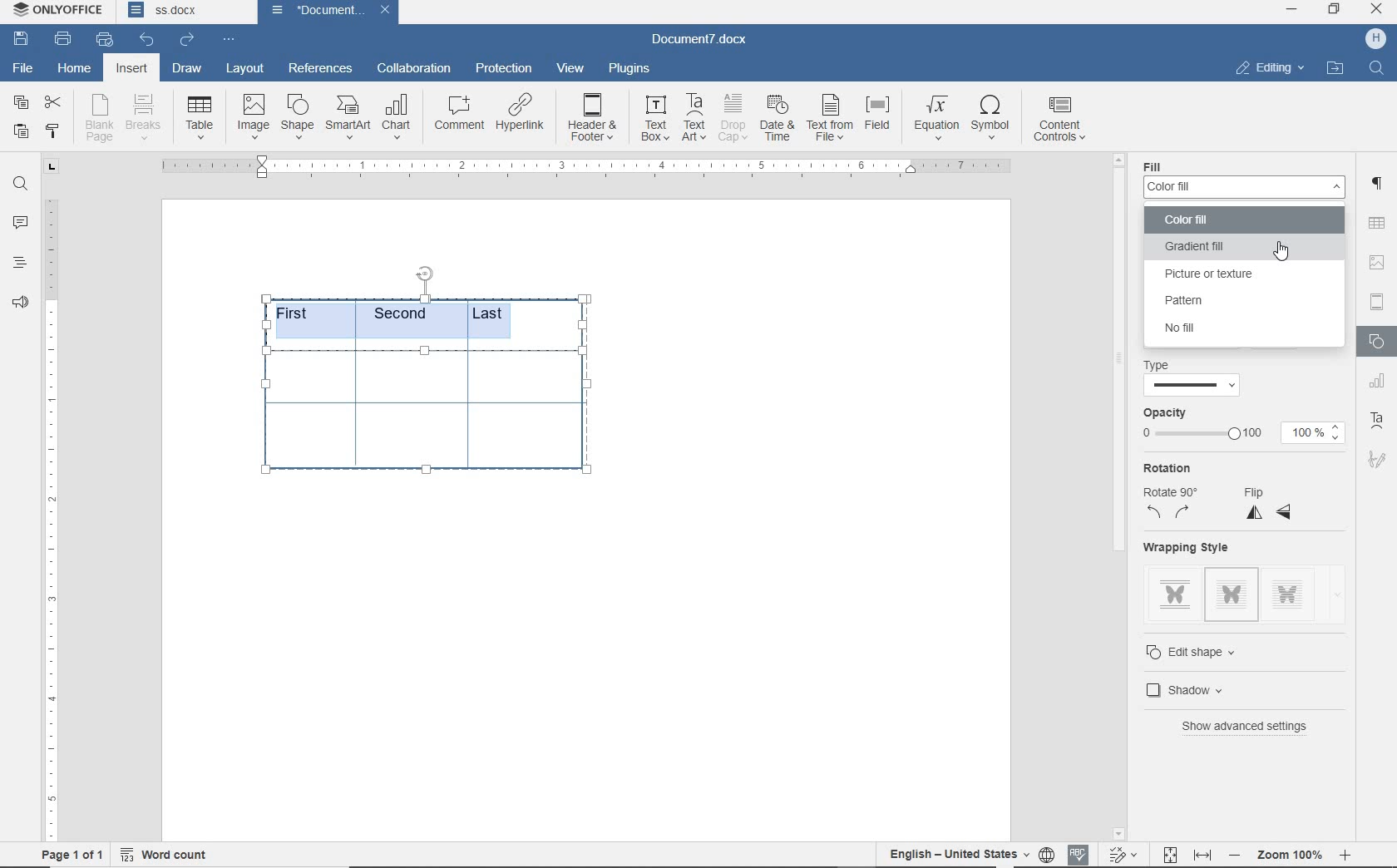  I want to click on document, so click(313, 10).